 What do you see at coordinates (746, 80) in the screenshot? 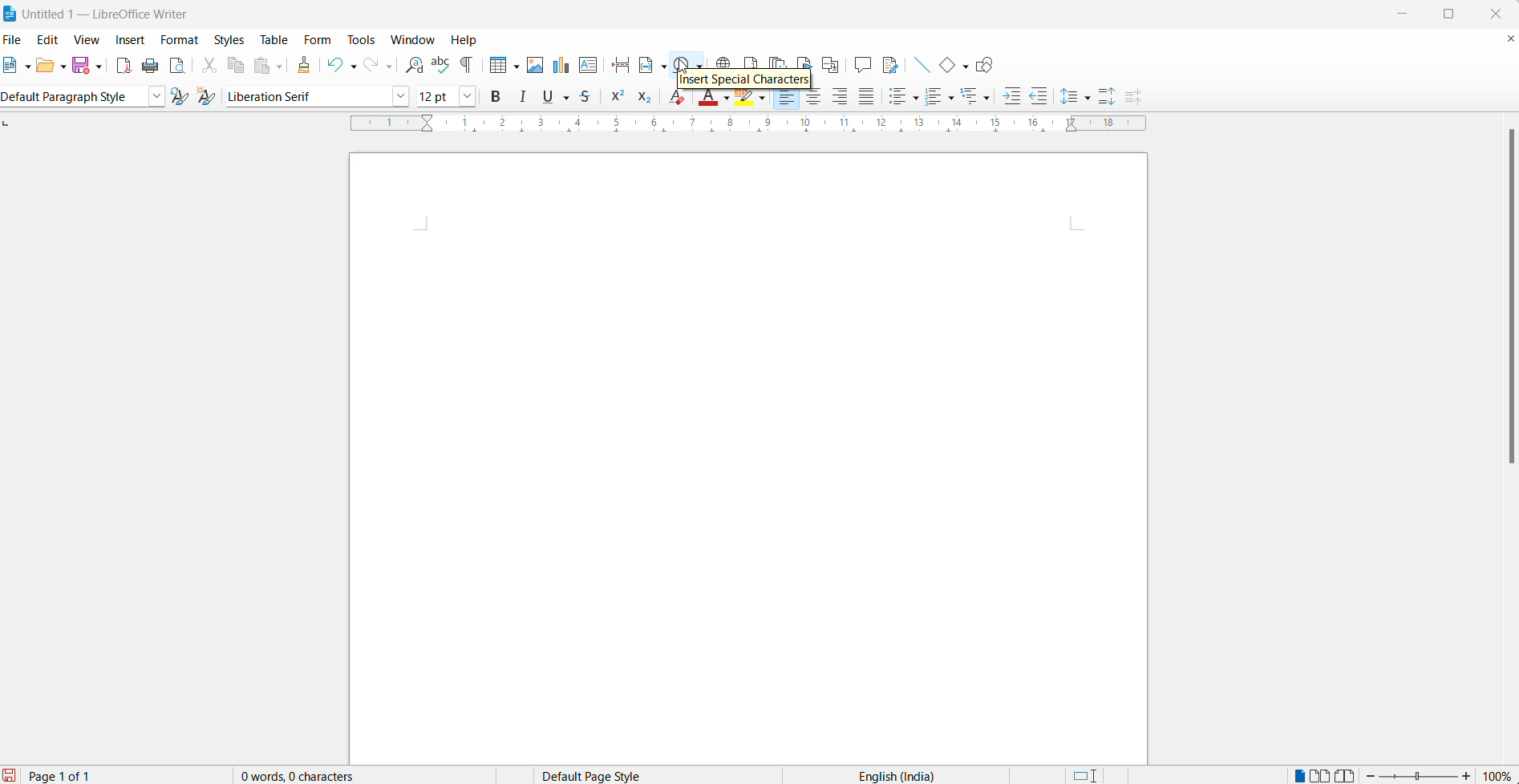
I see `hover text` at bounding box center [746, 80].